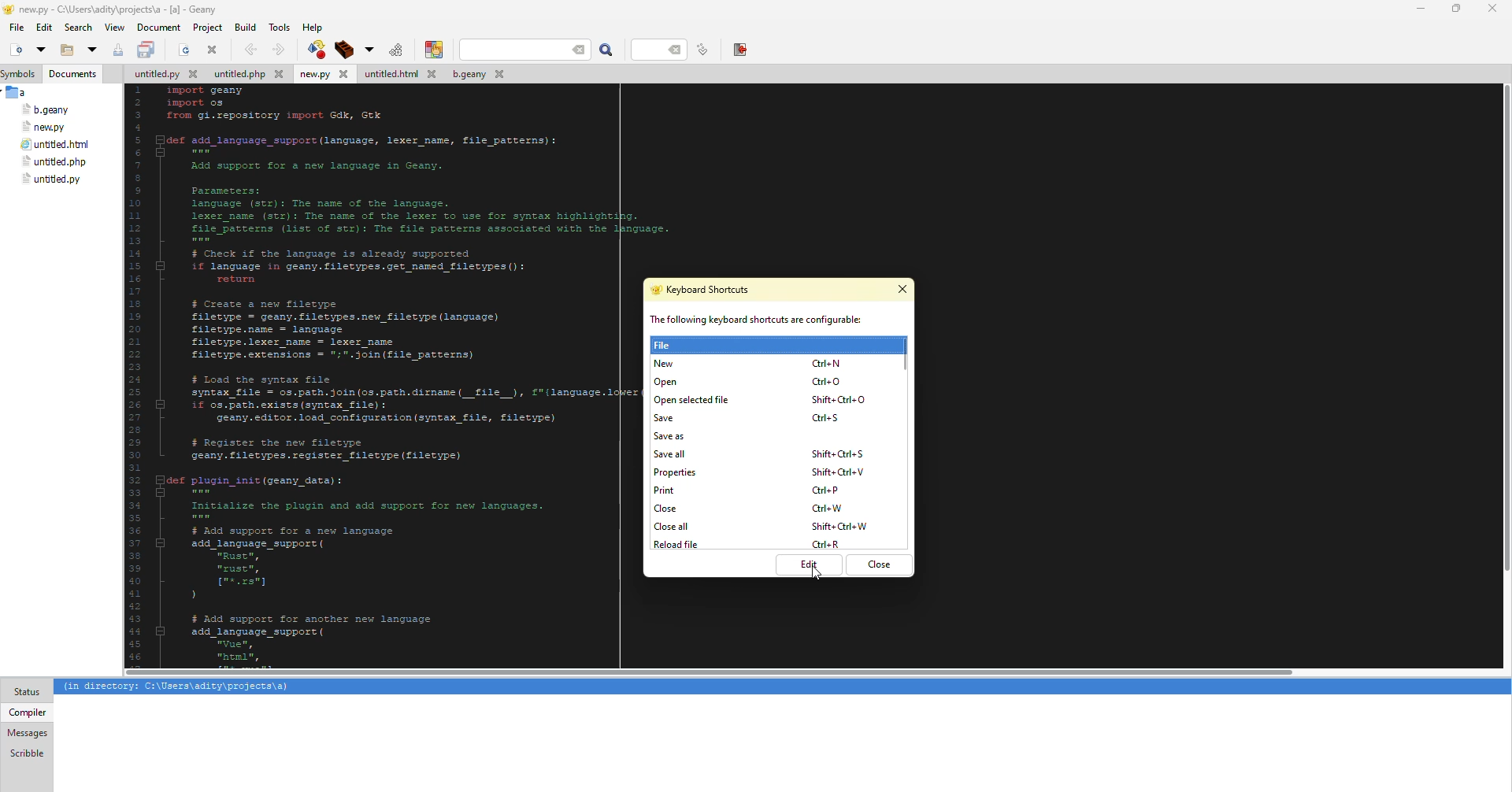 The height and width of the screenshot is (792, 1512). What do you see at coordinates (207, 28) in the screenshot?
I see `project` at bounding box center [207, 28].